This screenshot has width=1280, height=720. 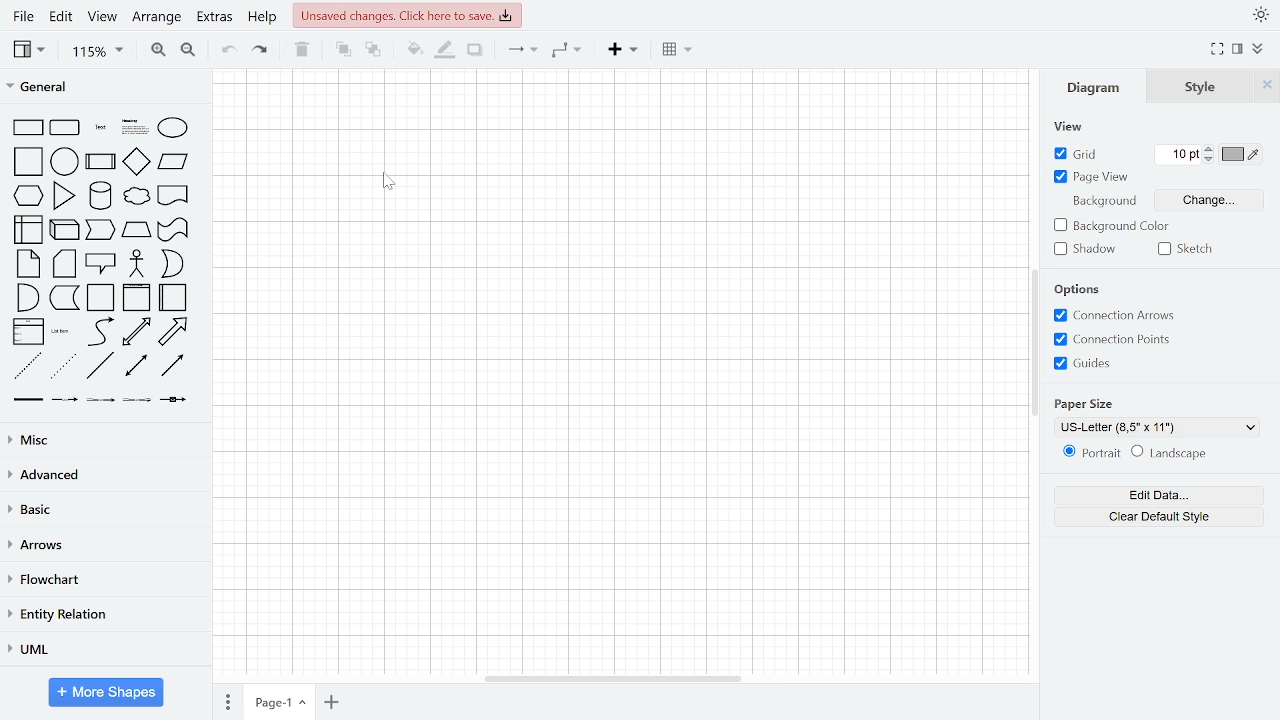 I want to click on UML, so click(x=103, y=650).